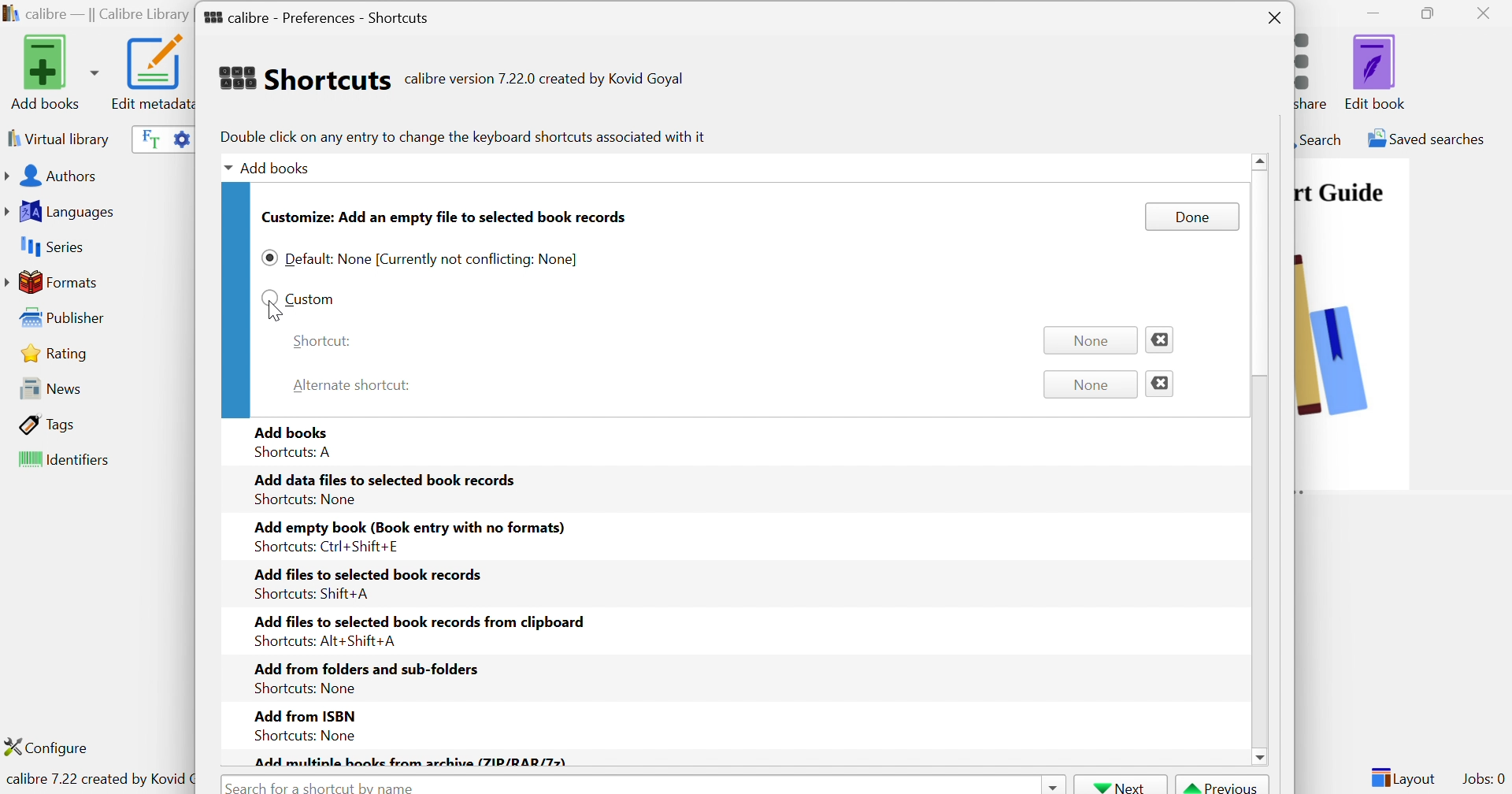  Describe the element at coordinates (1484, 780) in the screenshot. I see `Jobs: 0` at that location.